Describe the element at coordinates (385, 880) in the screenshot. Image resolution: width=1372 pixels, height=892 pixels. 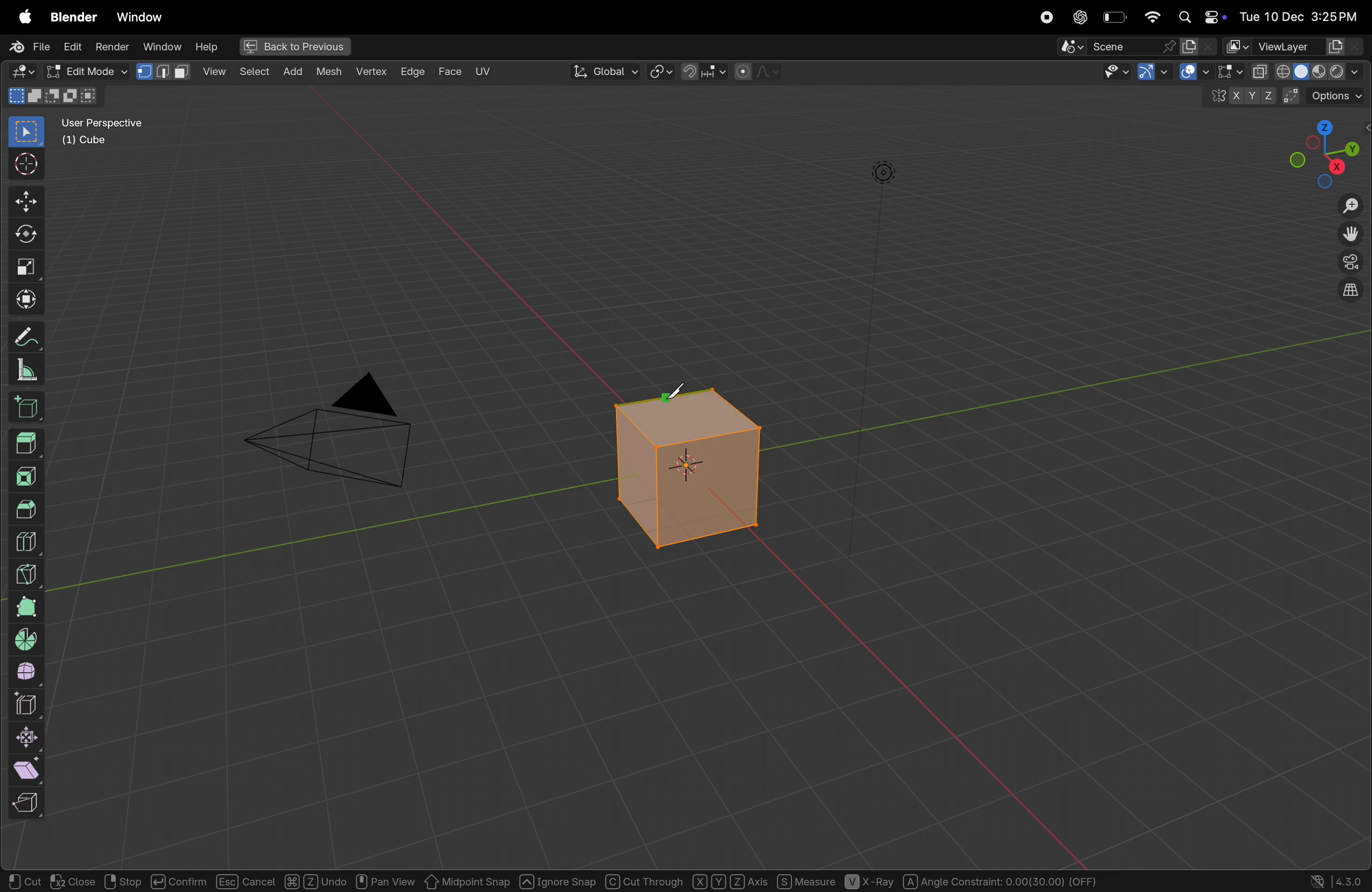
I see `Pan View` at that location.